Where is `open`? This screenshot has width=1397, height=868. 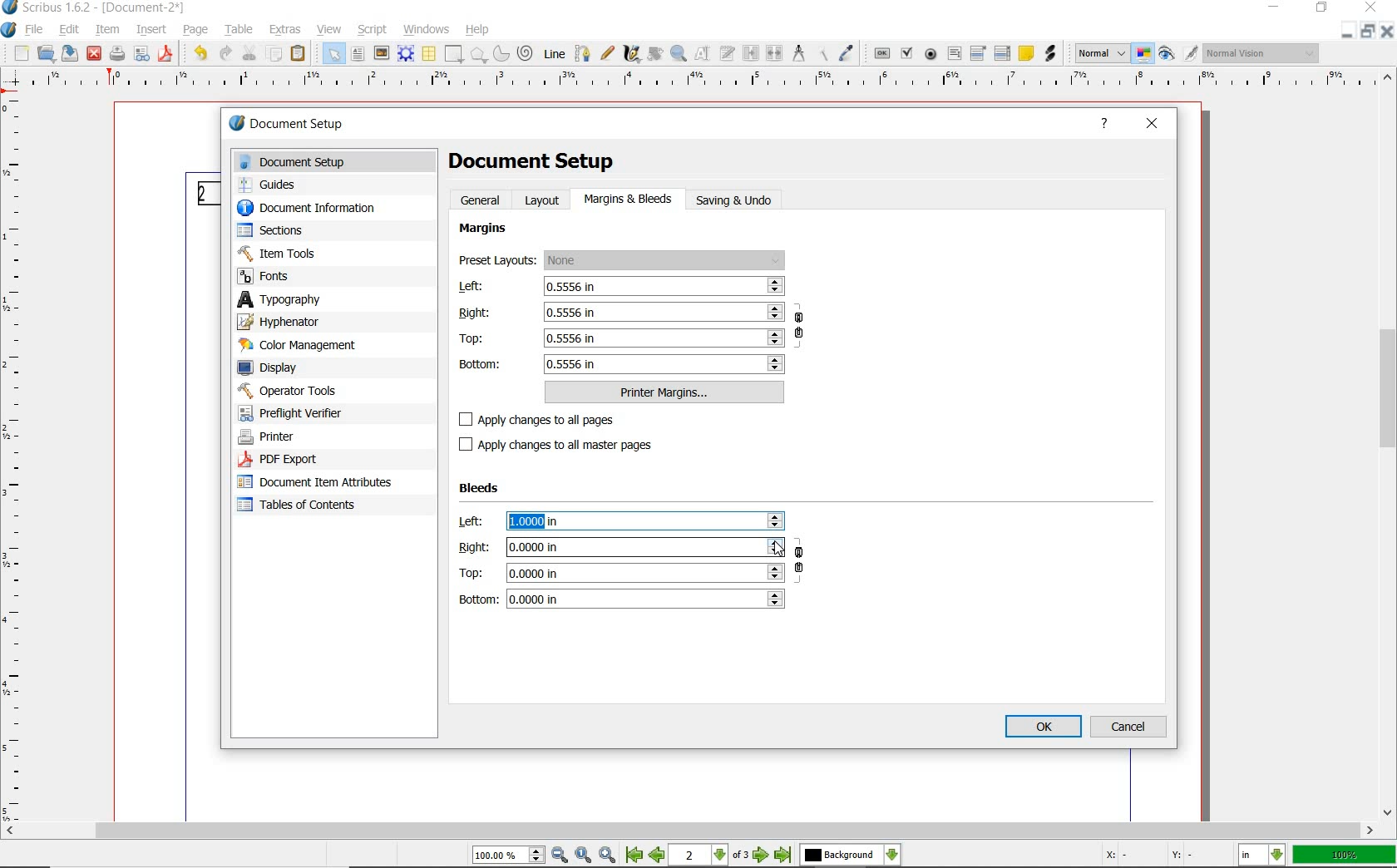
open is located at coordinates (47, 55).